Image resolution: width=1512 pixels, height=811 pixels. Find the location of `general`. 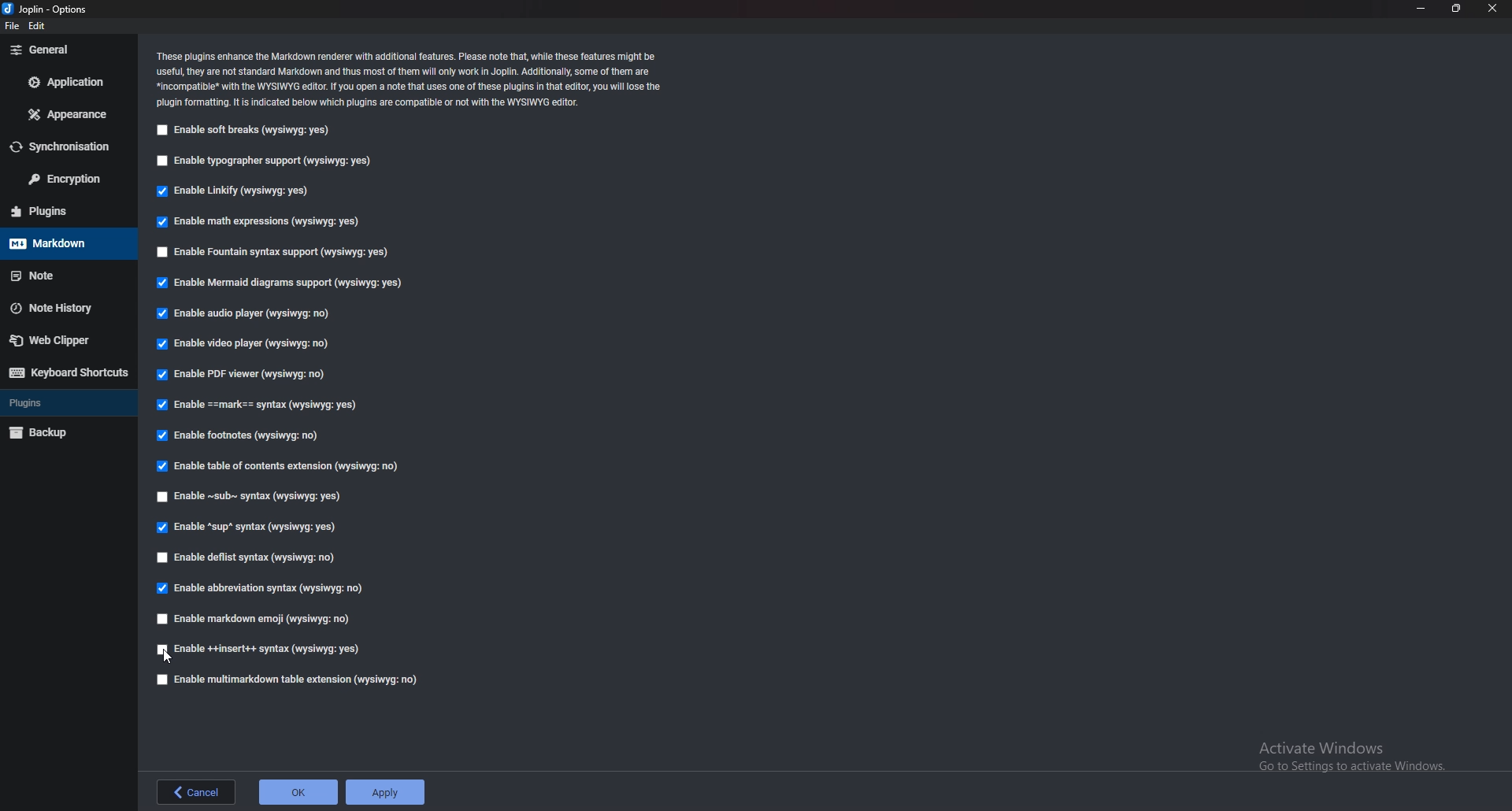

general is located at coordinates (66, 53).